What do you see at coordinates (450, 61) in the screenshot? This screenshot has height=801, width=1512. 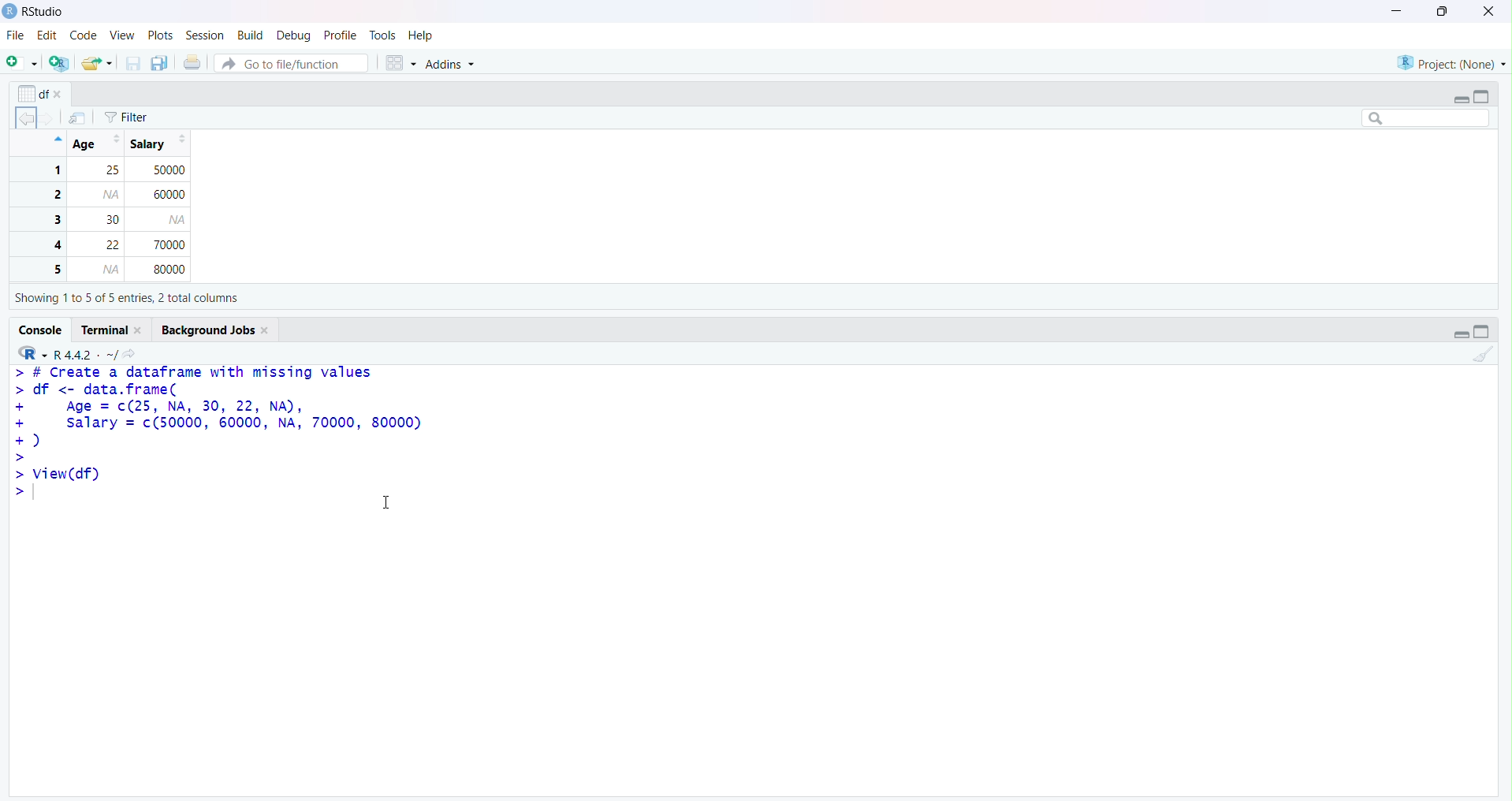 I see `Addins` at bounding box center [450, 61].